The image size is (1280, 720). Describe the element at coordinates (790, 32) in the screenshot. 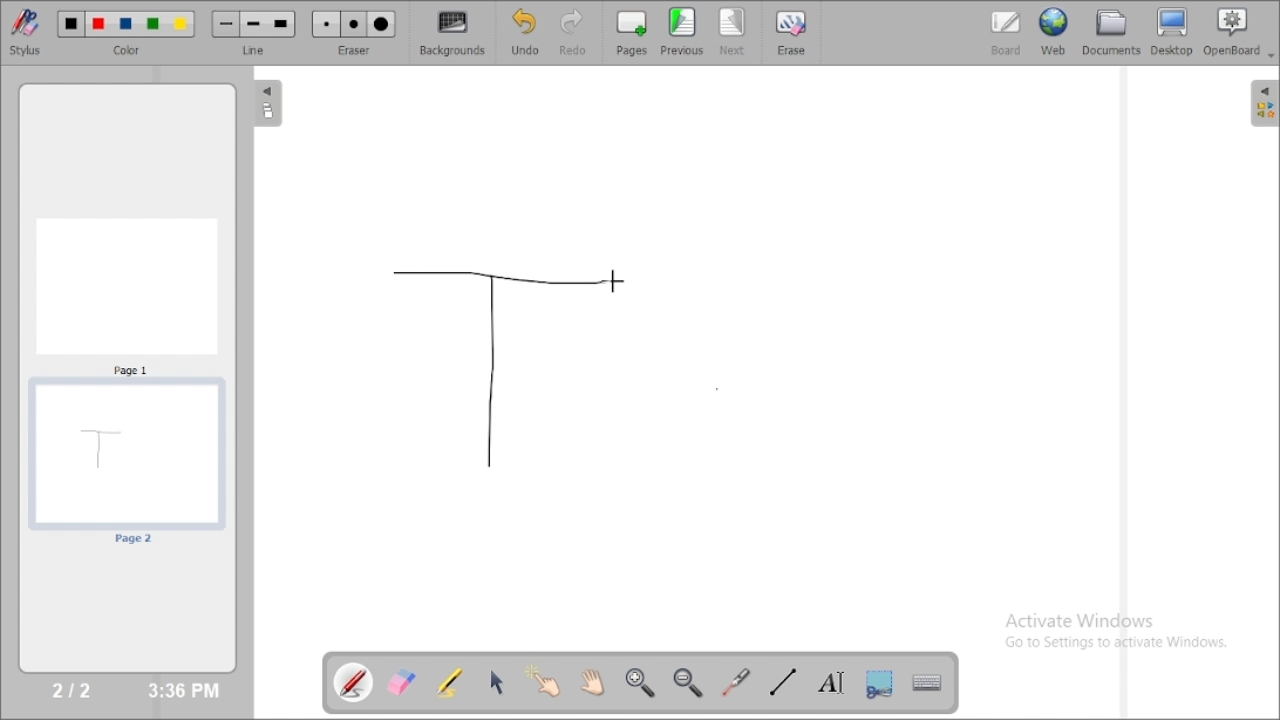

I see `erase` at that location.